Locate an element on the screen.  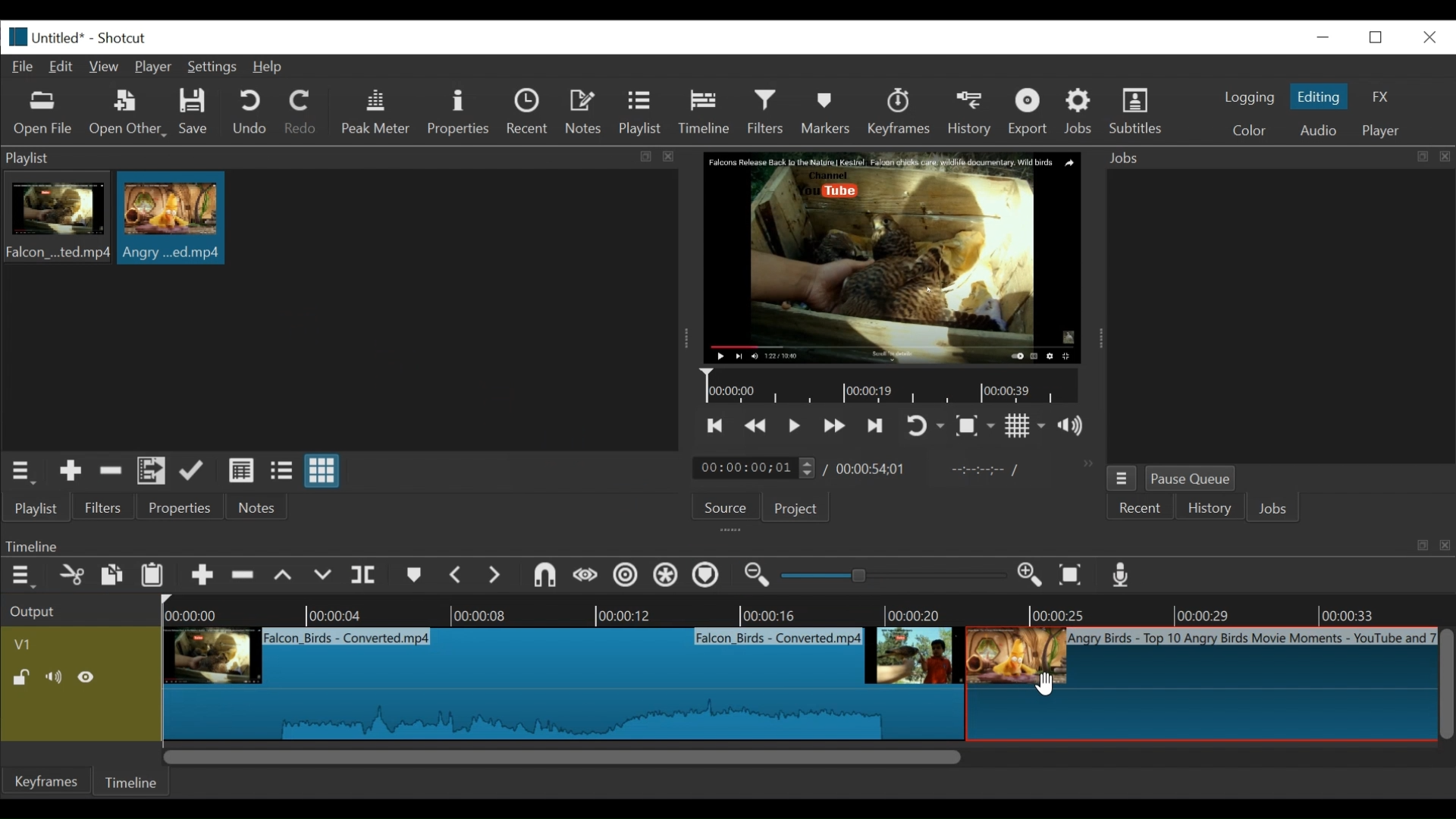
toggle player looping is located at coordinates (925, 427).